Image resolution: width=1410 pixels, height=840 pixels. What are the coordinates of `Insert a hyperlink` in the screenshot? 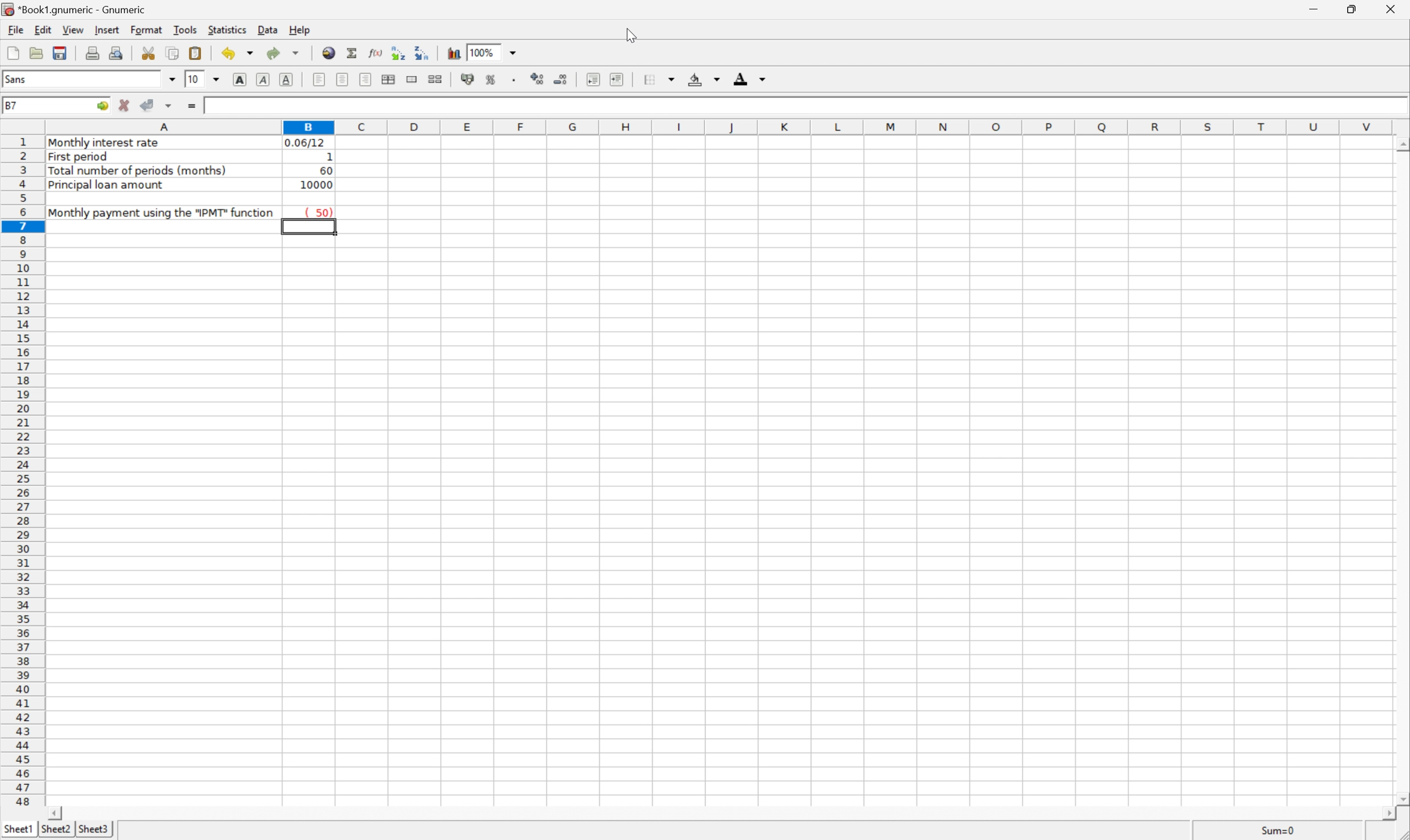 It's located at (327, 52).